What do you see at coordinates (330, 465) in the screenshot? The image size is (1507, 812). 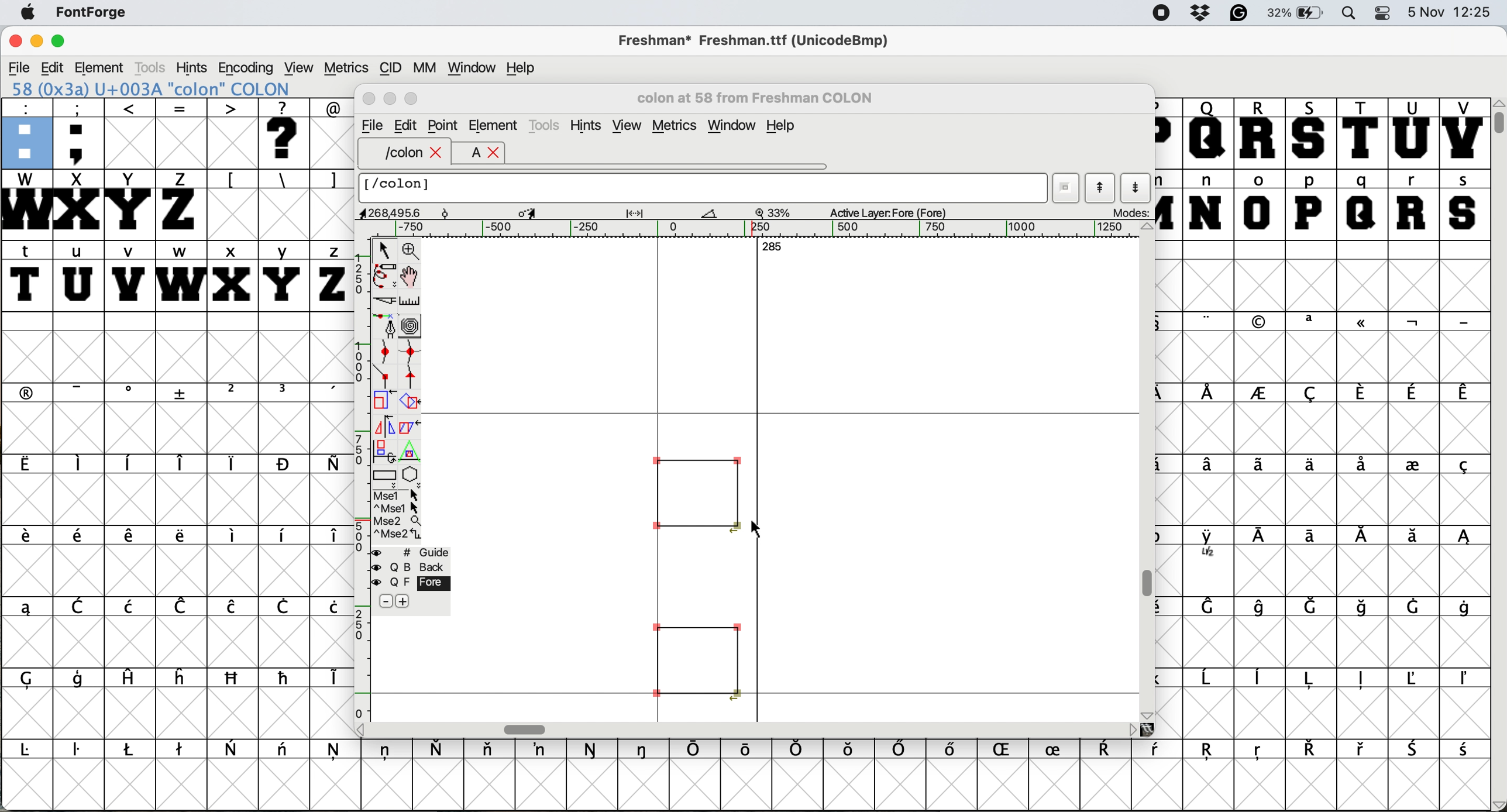 I see `symbol` at bounding box center [330, 465].